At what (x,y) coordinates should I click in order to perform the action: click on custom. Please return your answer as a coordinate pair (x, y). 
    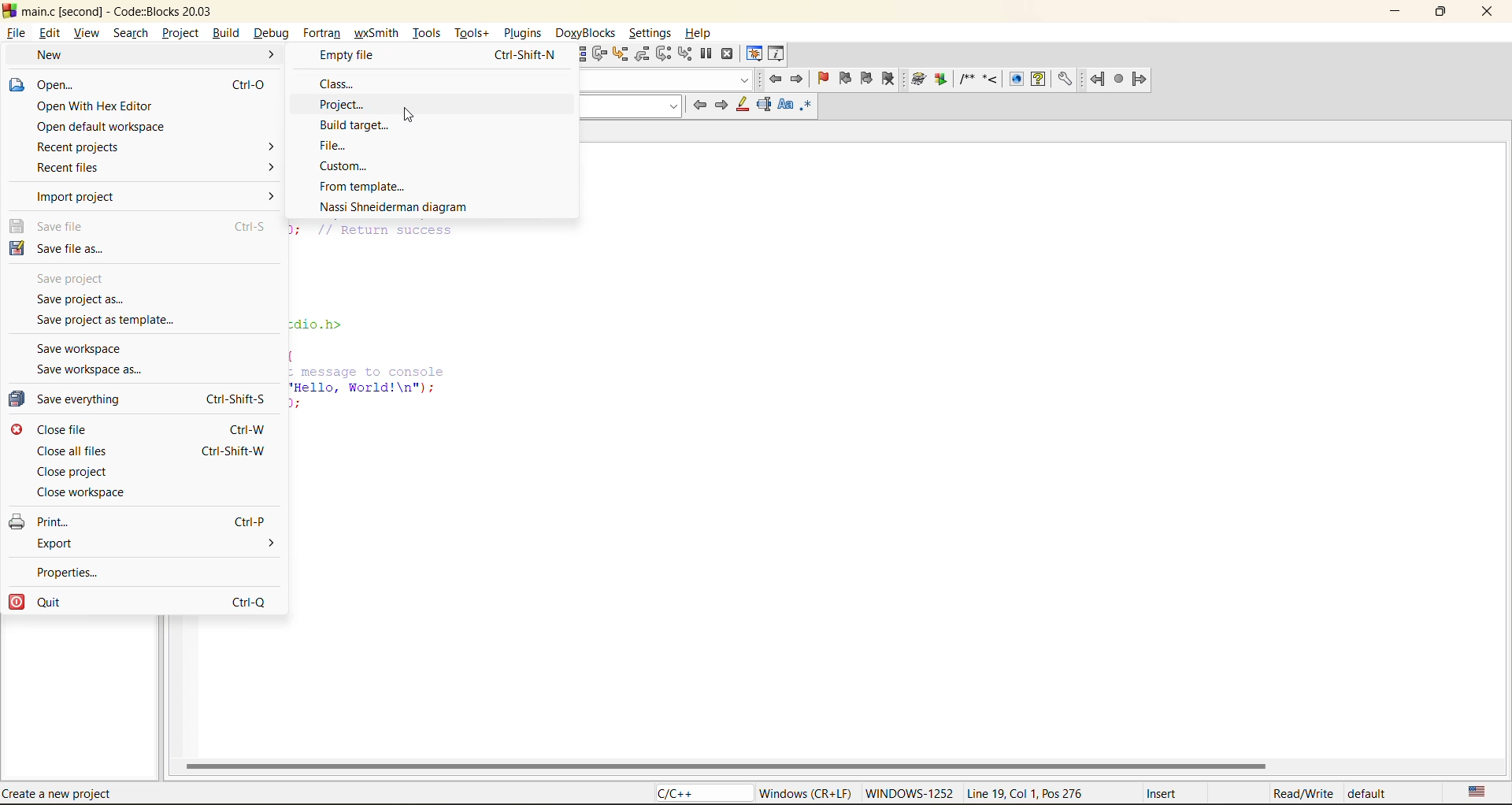
    Looking at the image, I should click on (354, 167).